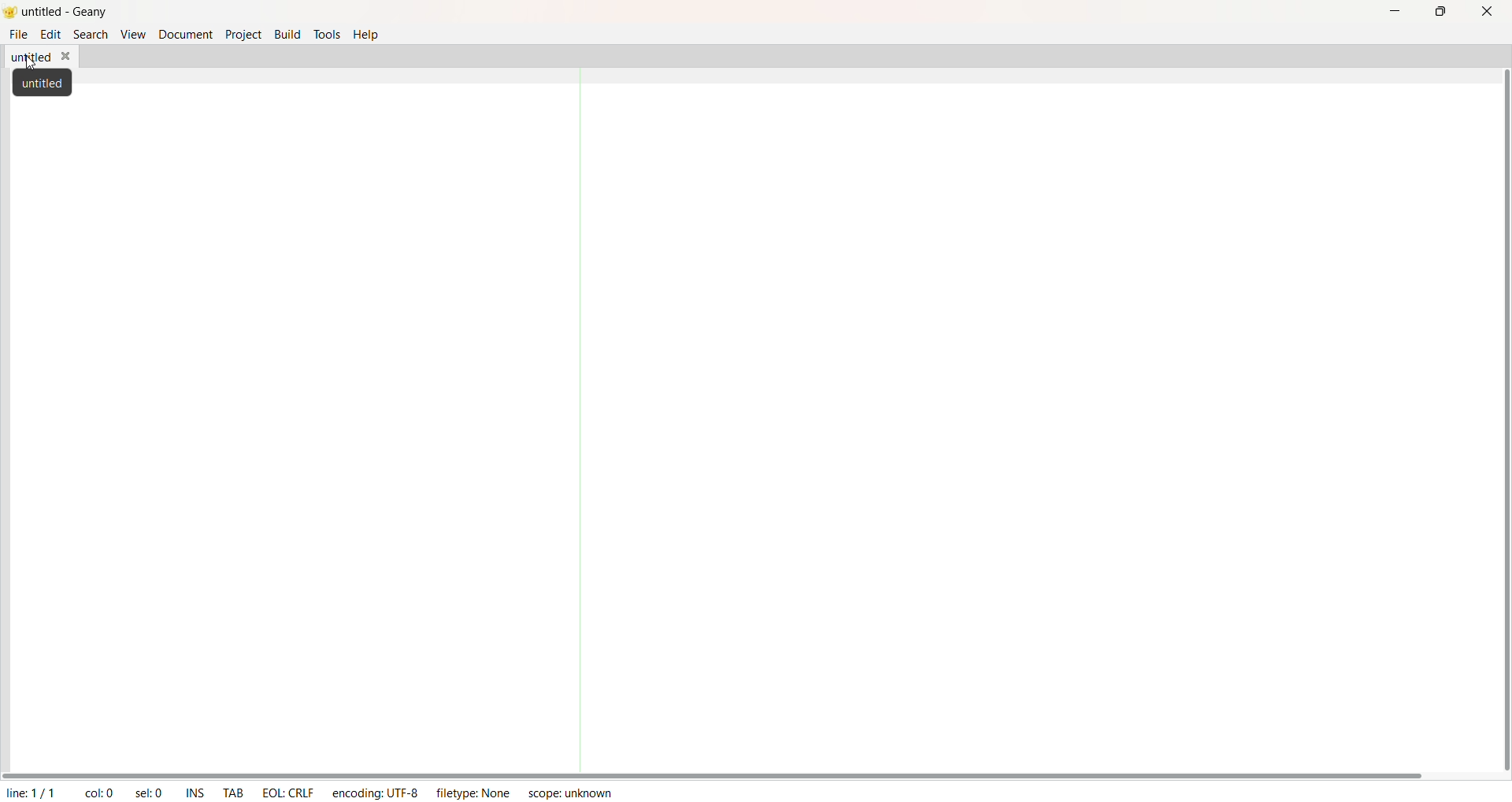  What do you see at coordinates (330, 32) in the screenshot?
I see `Tools` at bounding box center [330, 32].